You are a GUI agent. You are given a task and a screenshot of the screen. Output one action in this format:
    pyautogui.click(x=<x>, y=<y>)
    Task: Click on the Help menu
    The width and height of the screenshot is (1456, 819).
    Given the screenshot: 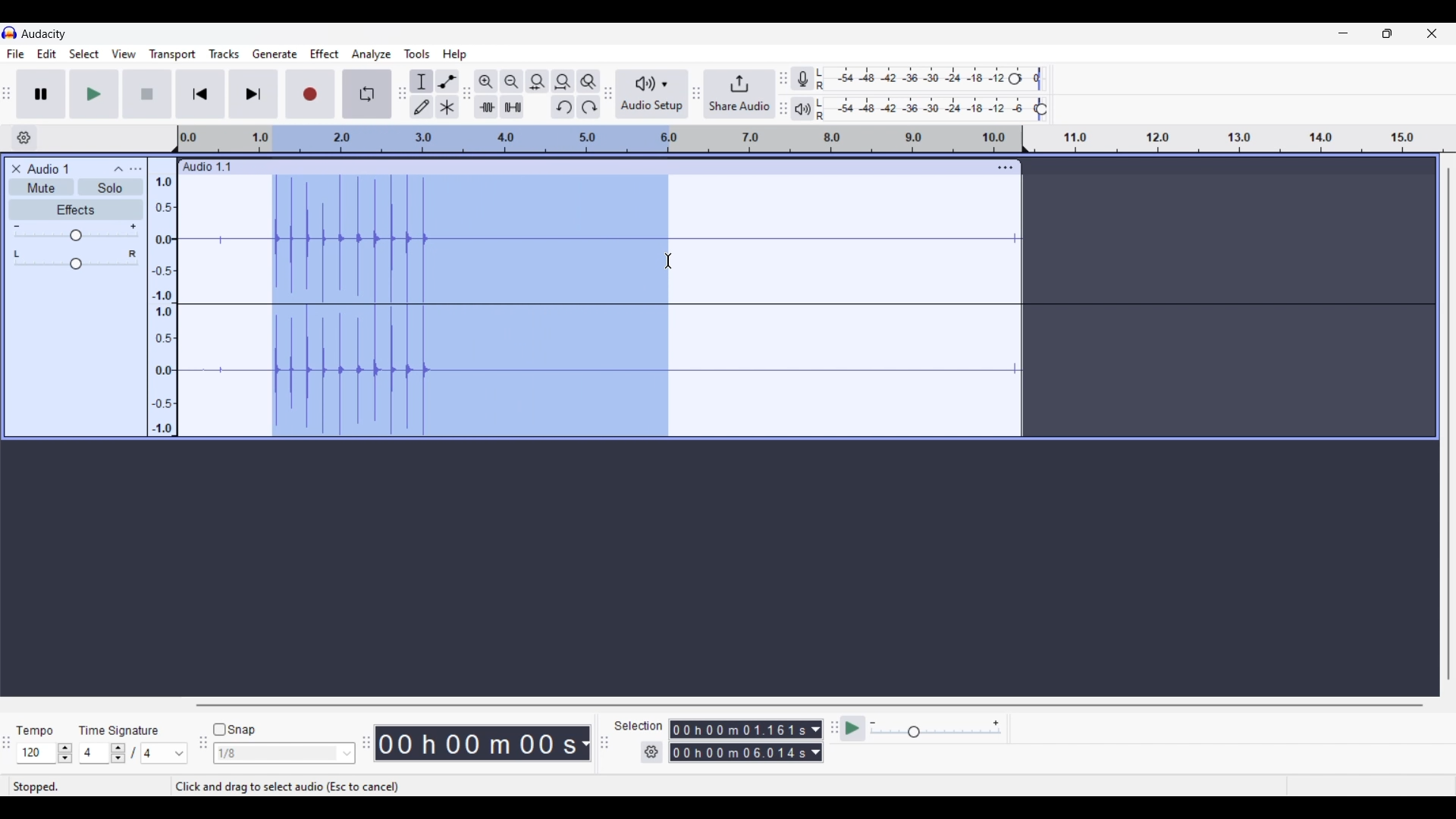 What is the action you would take?
    pyautogui.click(x=453, y=54)
    